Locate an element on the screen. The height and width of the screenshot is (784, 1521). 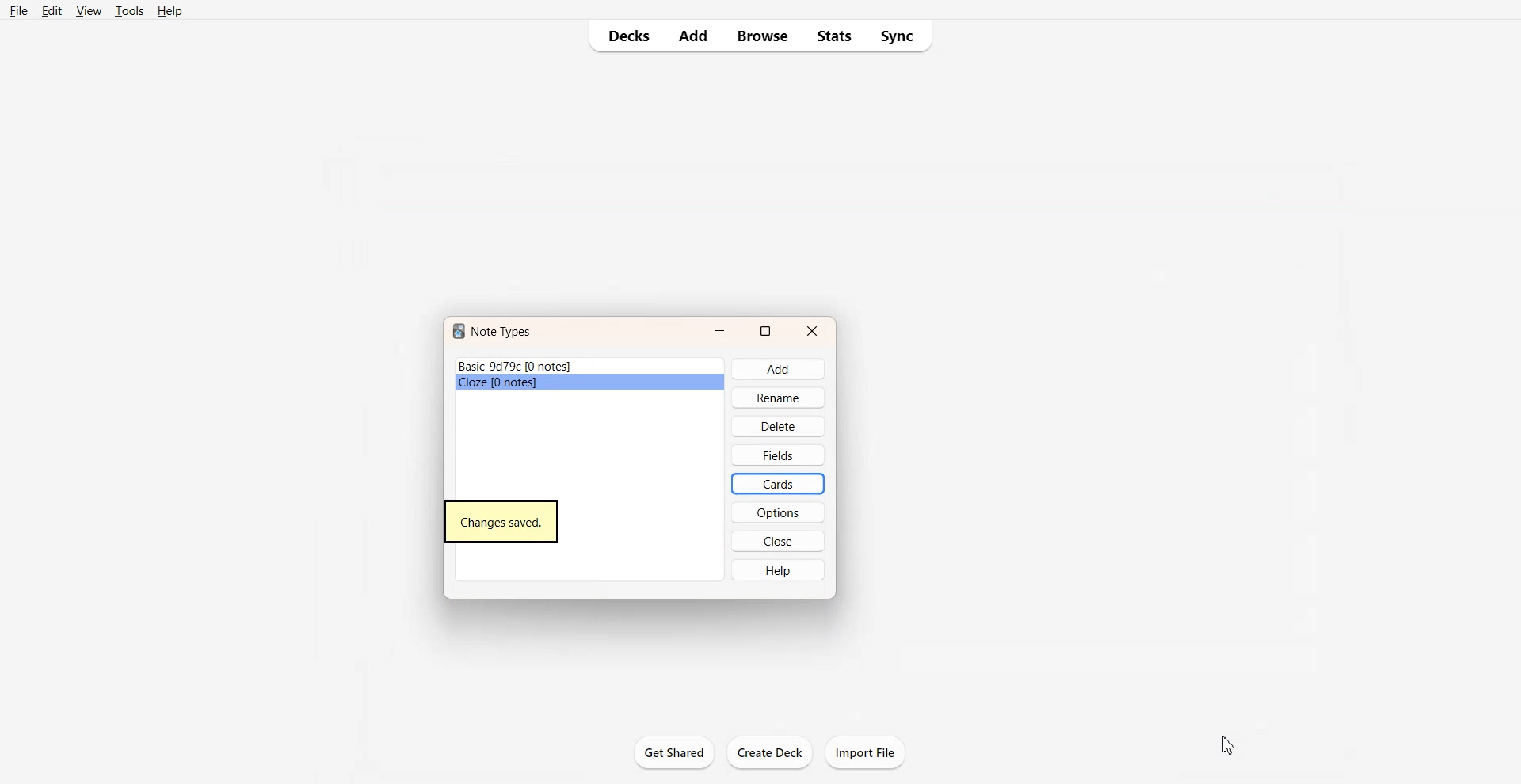
Stats is located at coordinates (833, 36).